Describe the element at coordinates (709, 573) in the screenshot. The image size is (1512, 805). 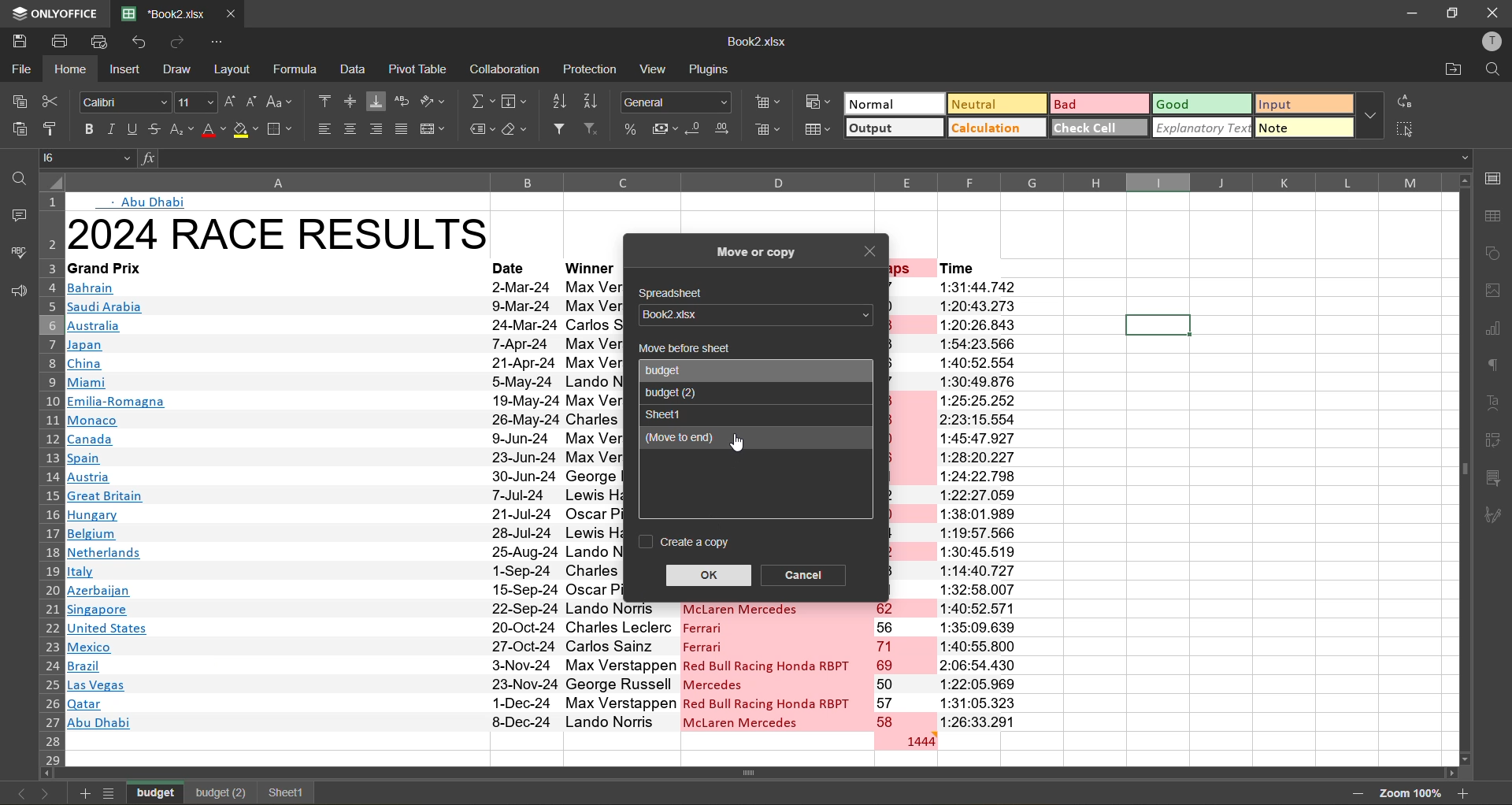
I see `ok` at that location.